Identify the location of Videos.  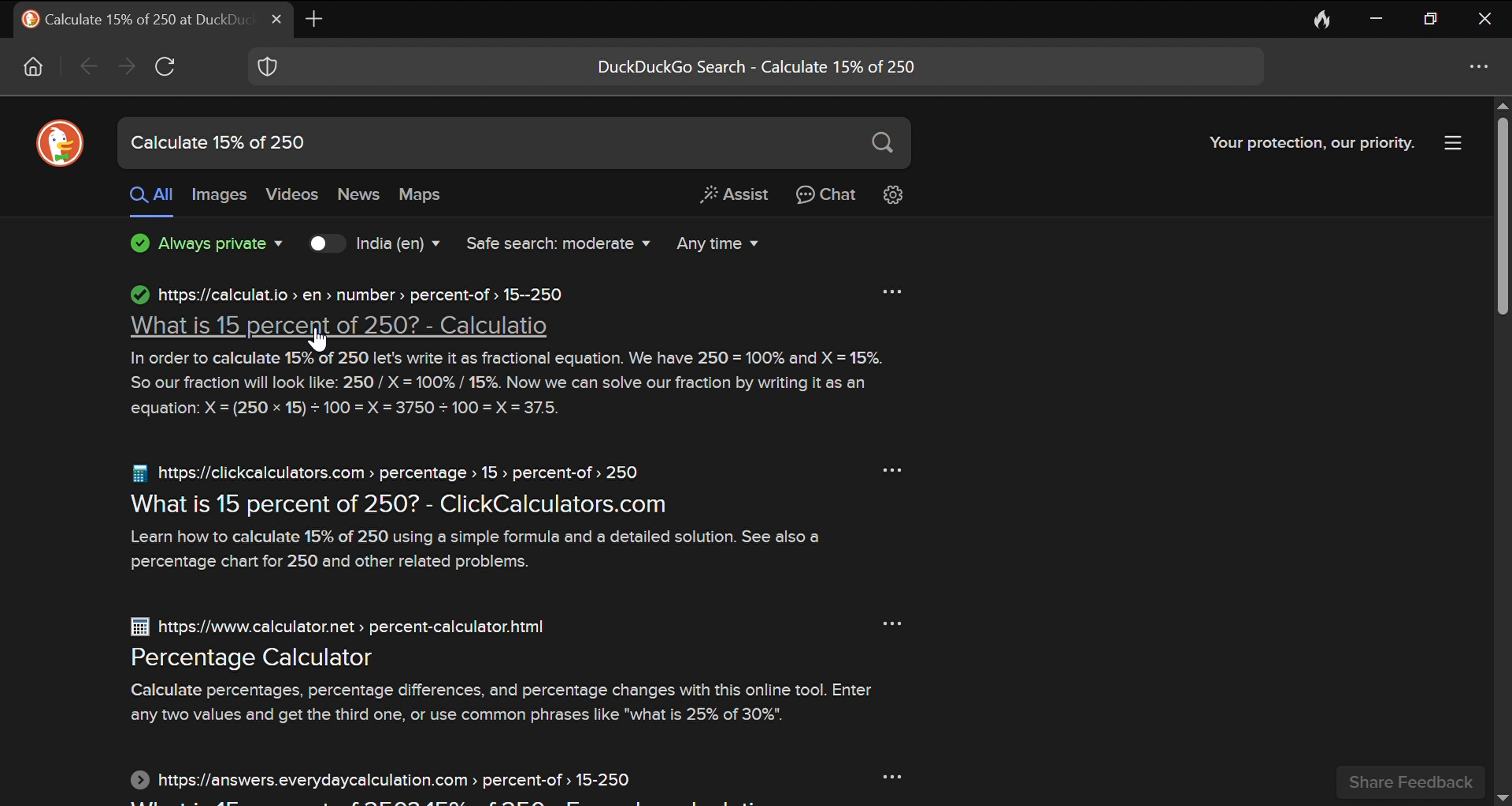
(296, 194).